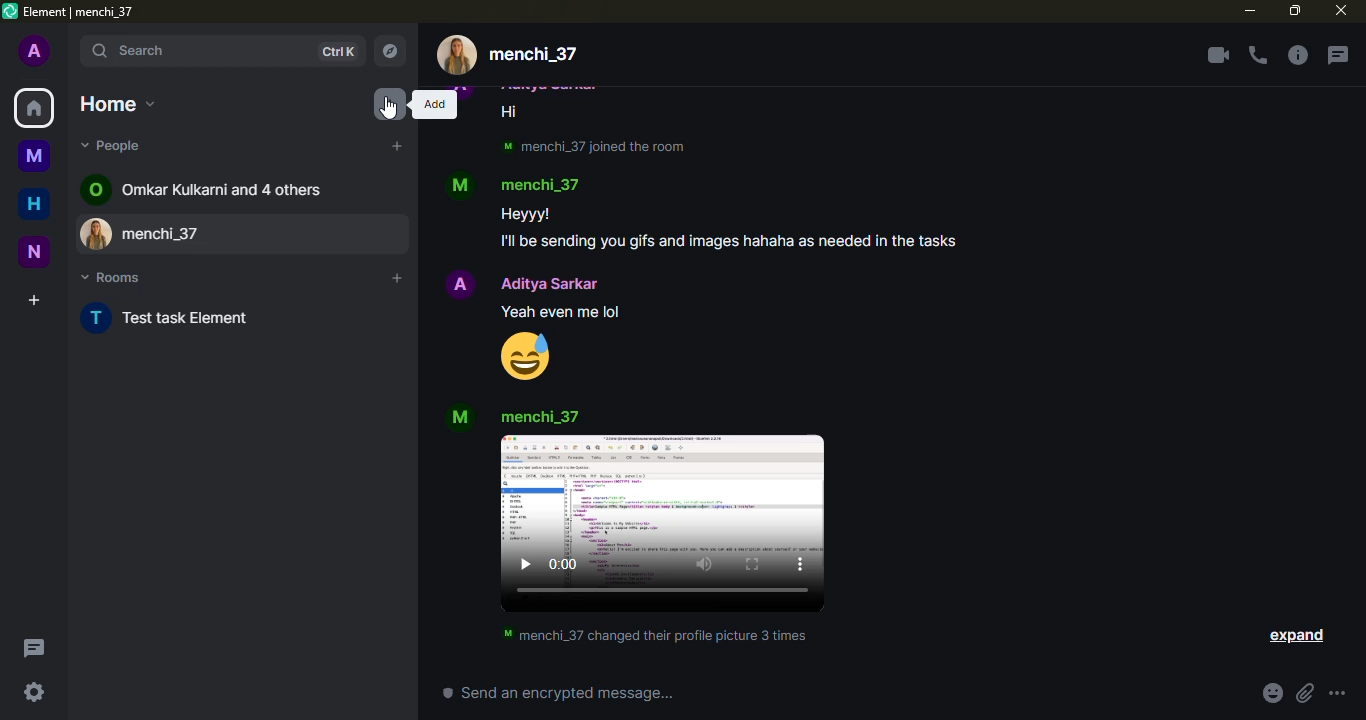 The width and height of the screenshot is (1366, 720). What do you see at coordinates (434, 104) in the screenshot?
I see `add` at bounding box center [434, 104].